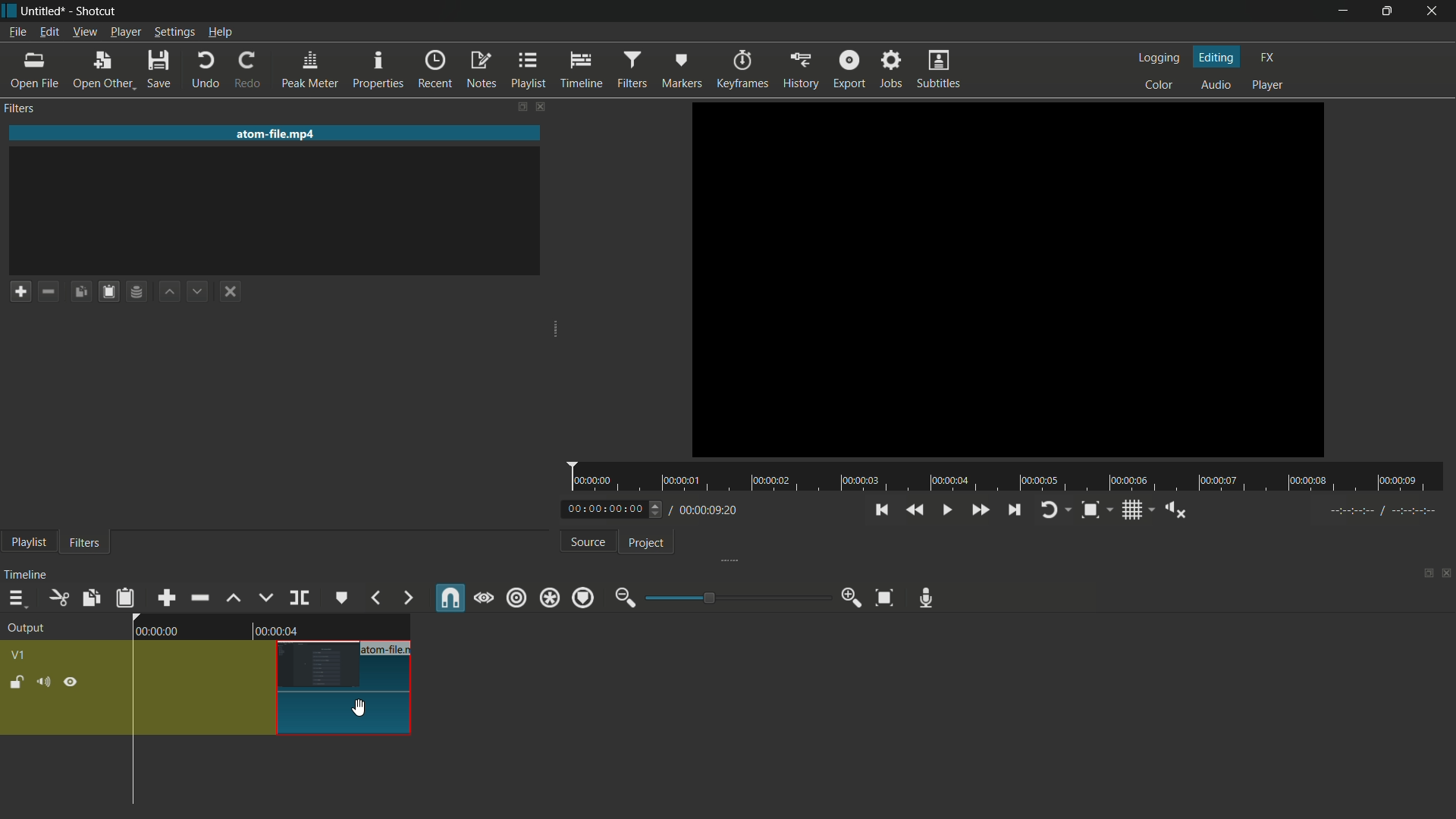  Describe the element at coordinates (742, 68) in the screenshot. I see `keyframes` at that location.